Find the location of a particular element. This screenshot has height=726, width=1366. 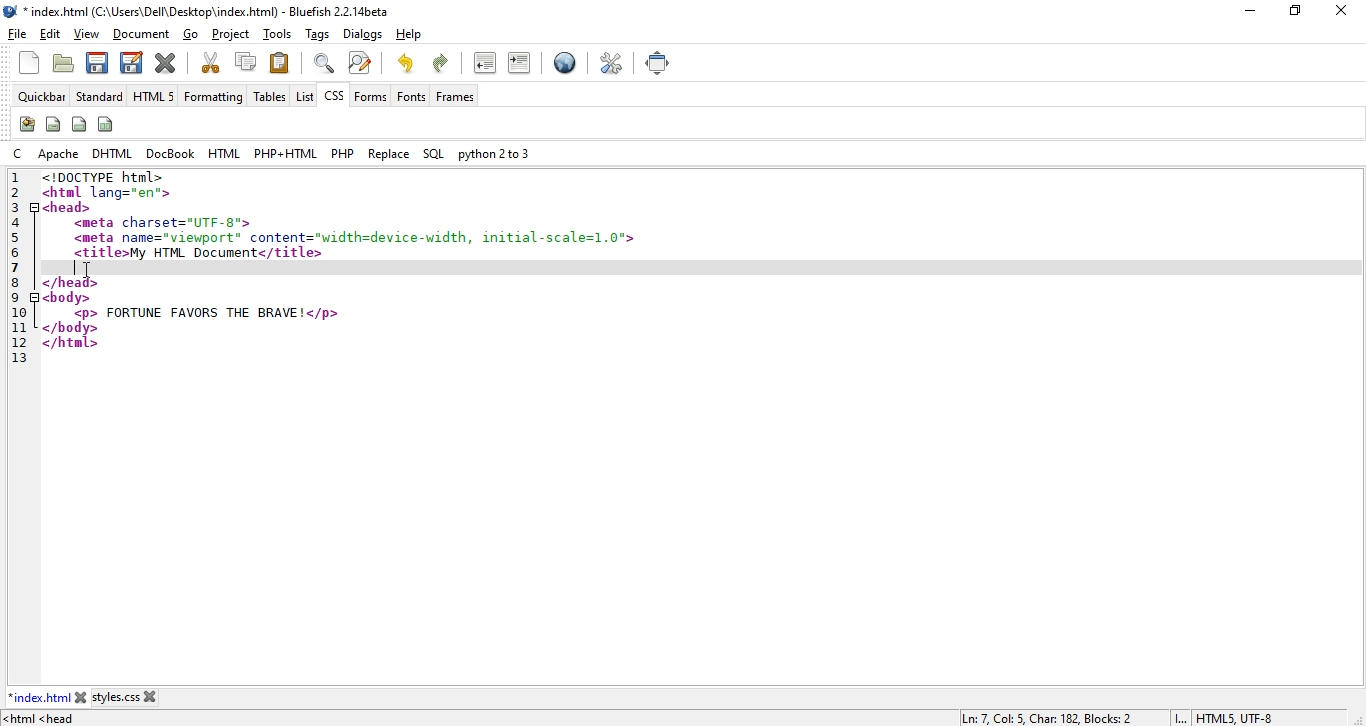

<html lang="en"> is located at coordinates (106, 193).